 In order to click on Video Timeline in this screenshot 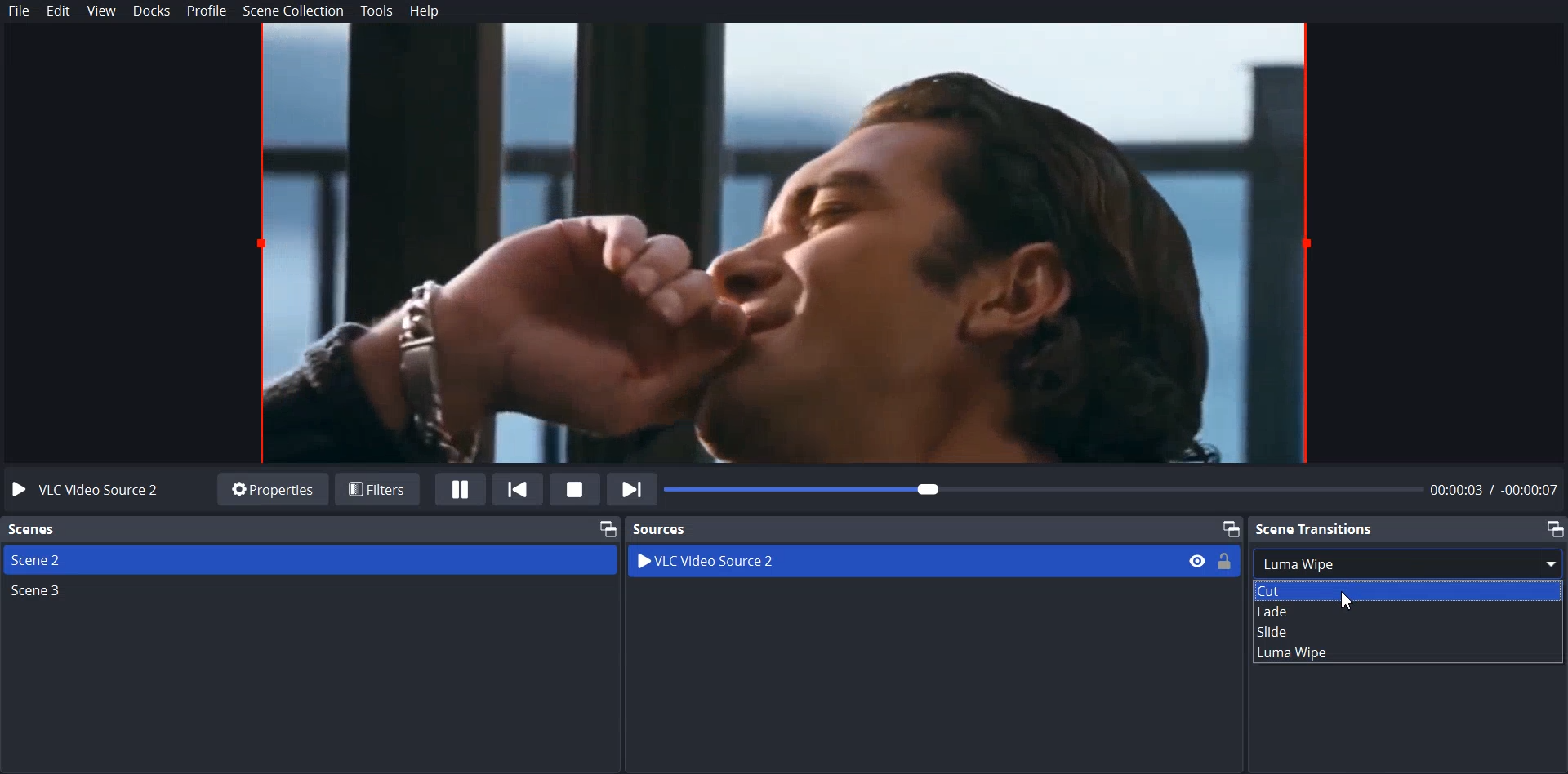, I will do `click(1115, 491)`.